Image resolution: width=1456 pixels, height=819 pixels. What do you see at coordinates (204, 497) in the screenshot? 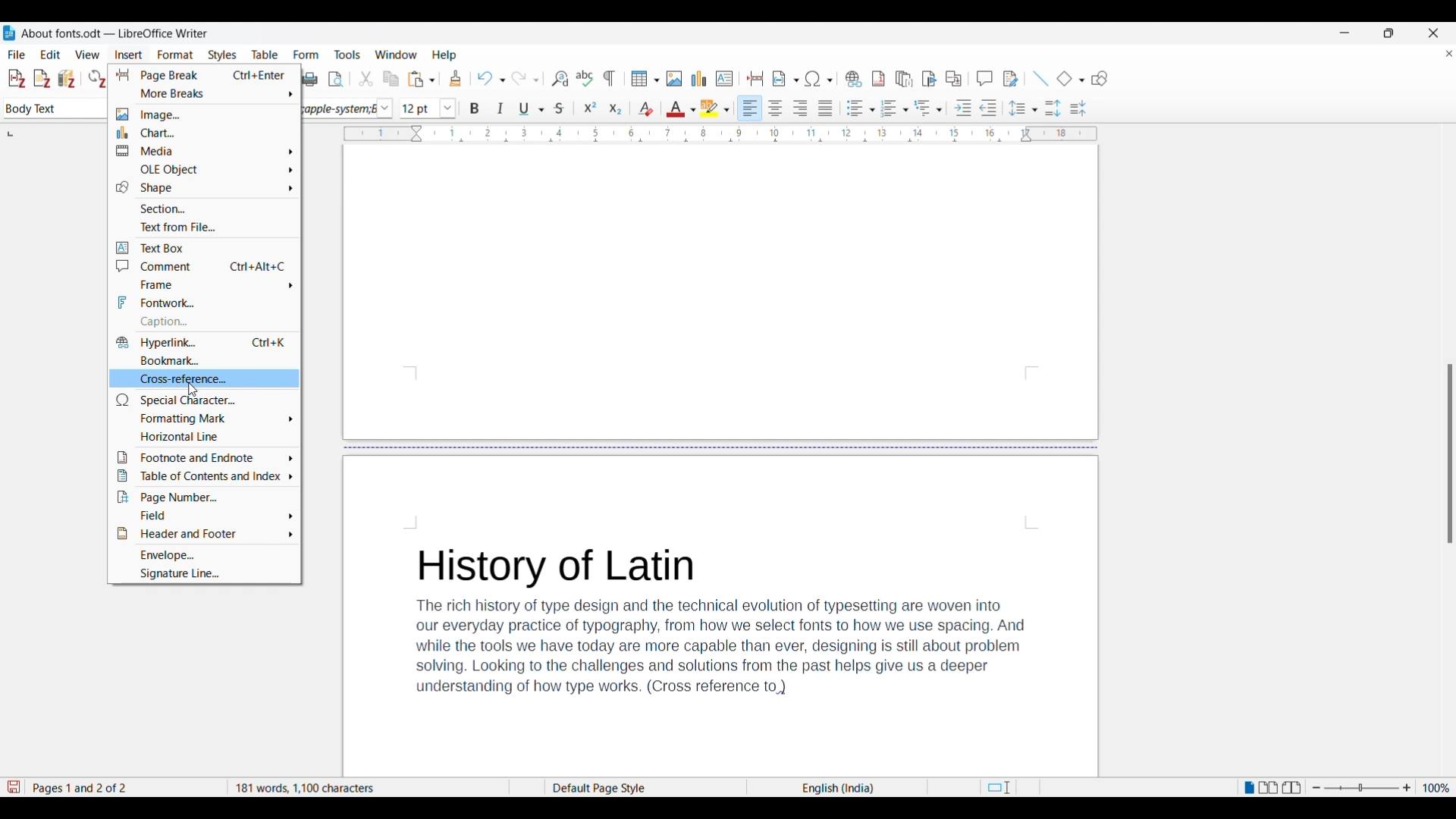
I see `Page number` at bounding box center [204, 497].